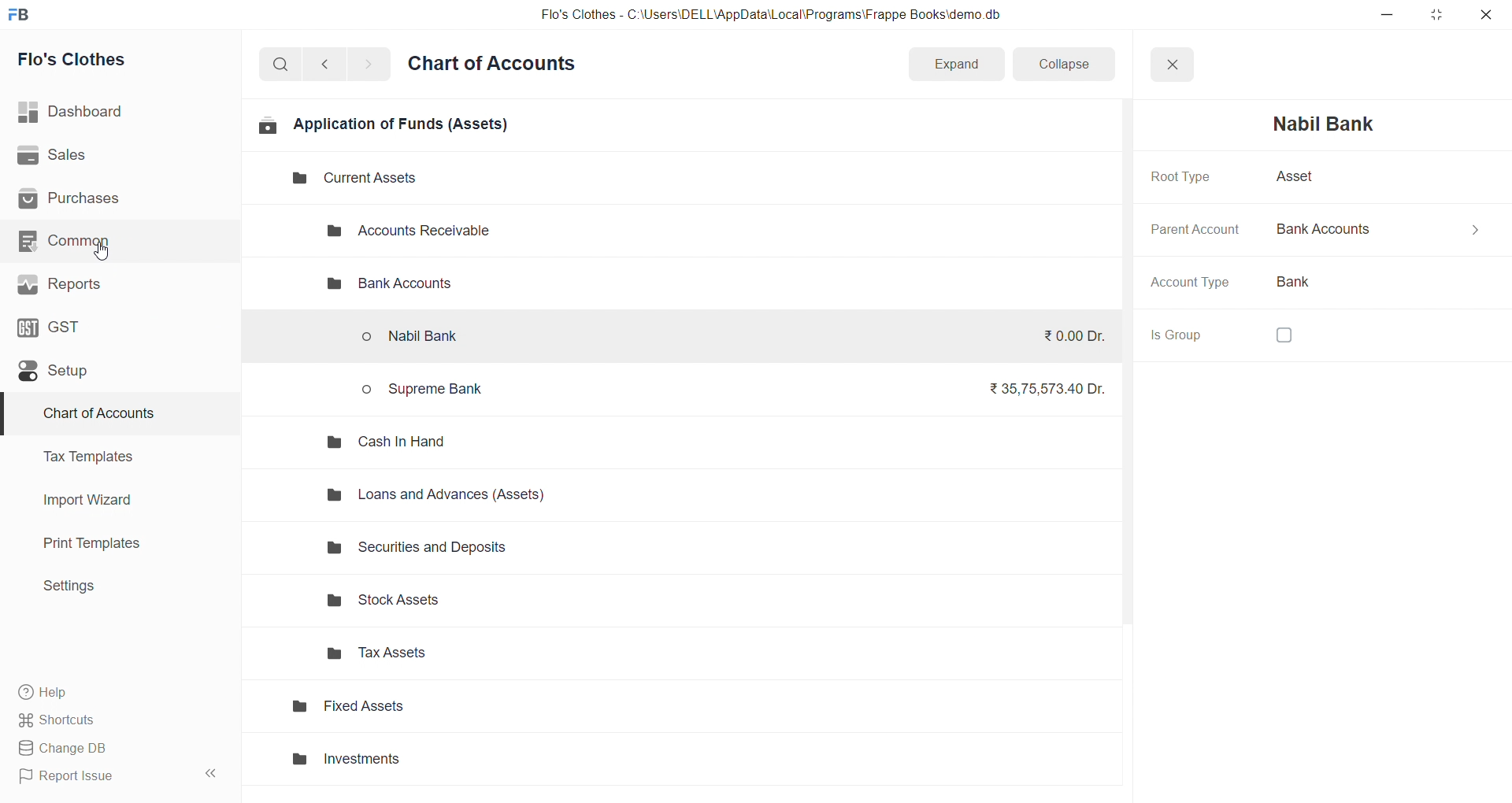 The width and height of the screenshot is (1512, 803). I want to click on  ₹ 0.00 Dr., so click(1067, 335).